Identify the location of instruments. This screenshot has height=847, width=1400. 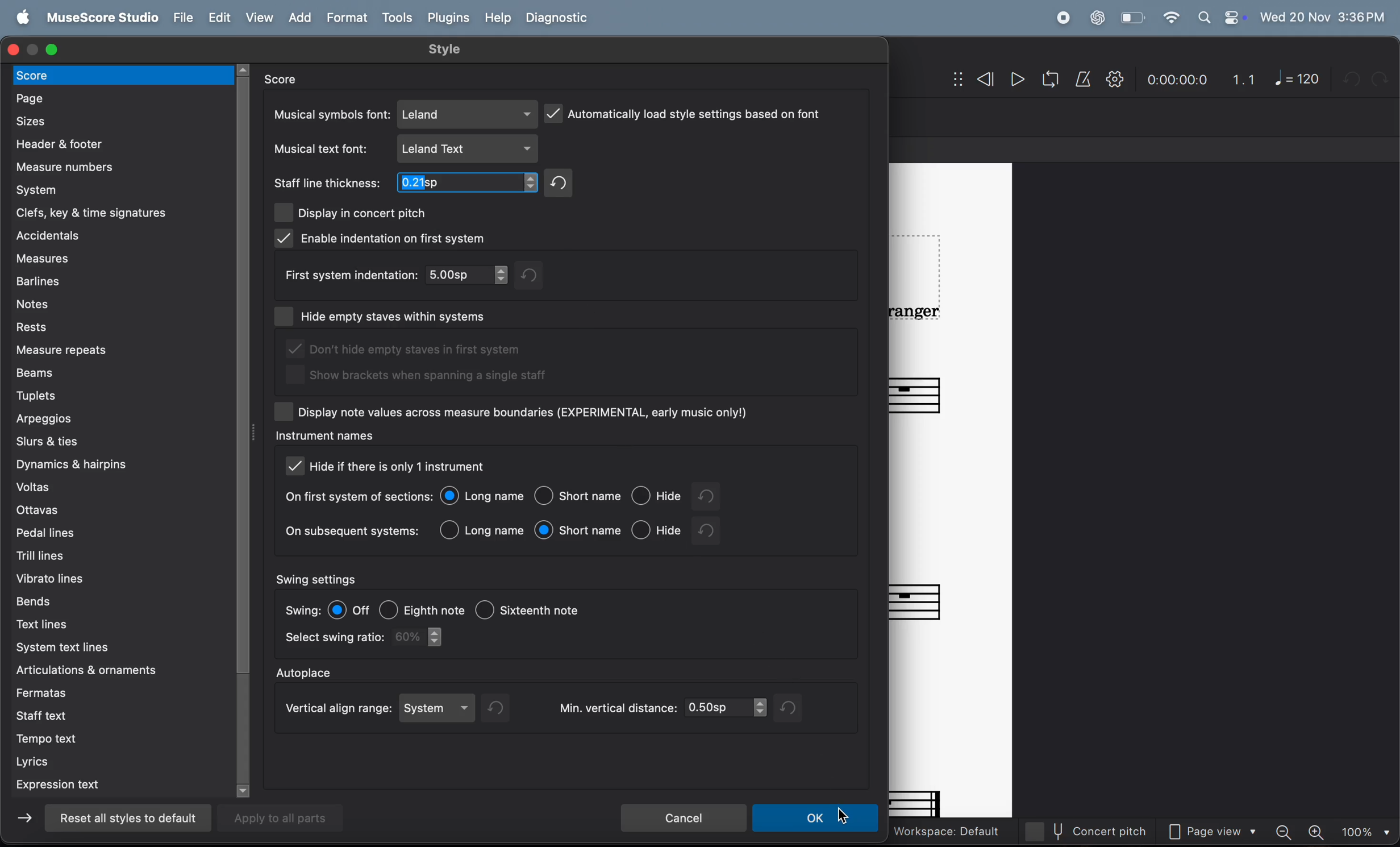
(323, 437).